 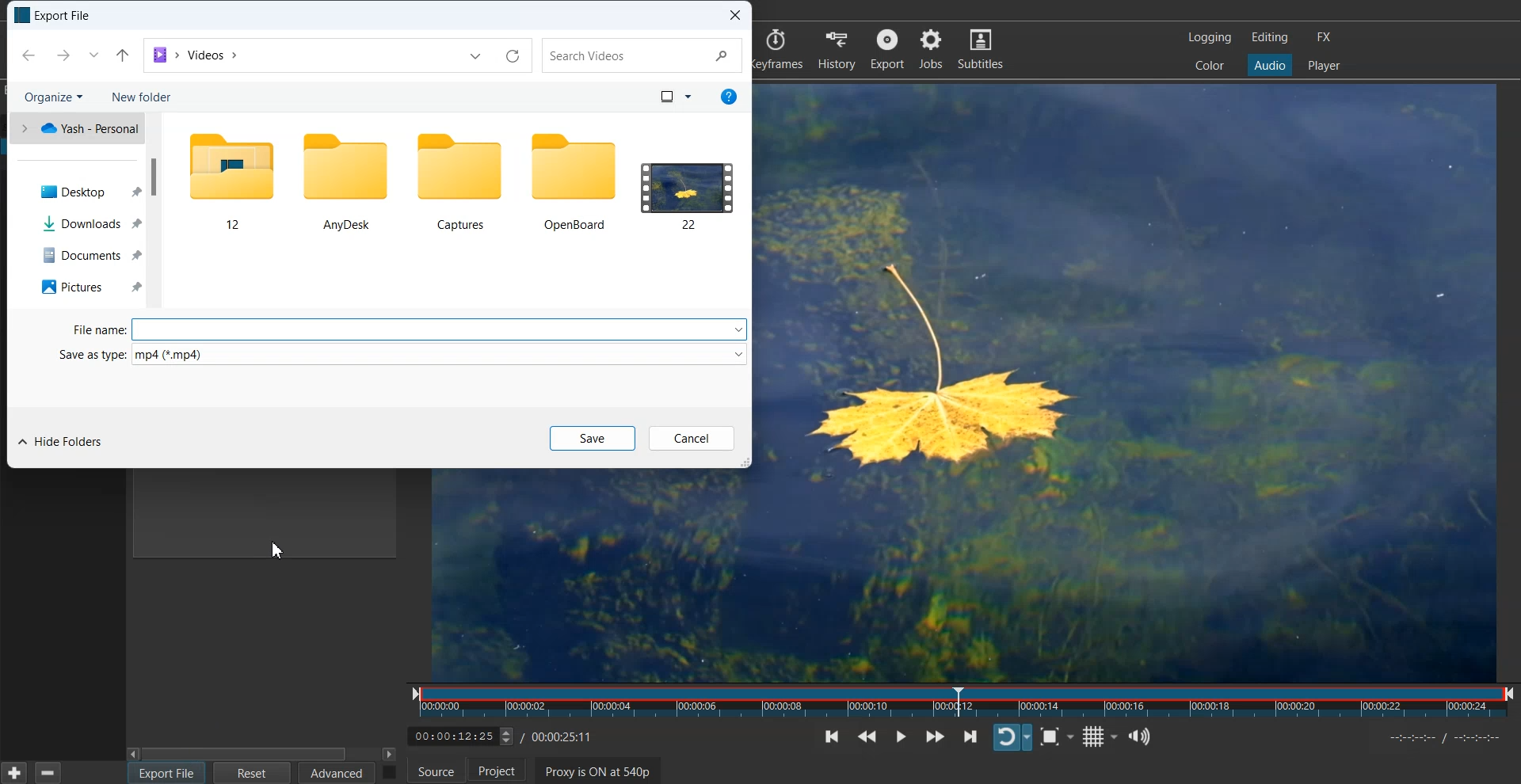 What do you see at coordinates (65, 55) in the screenshot?
I see `next` at bounding box center [65, 55].